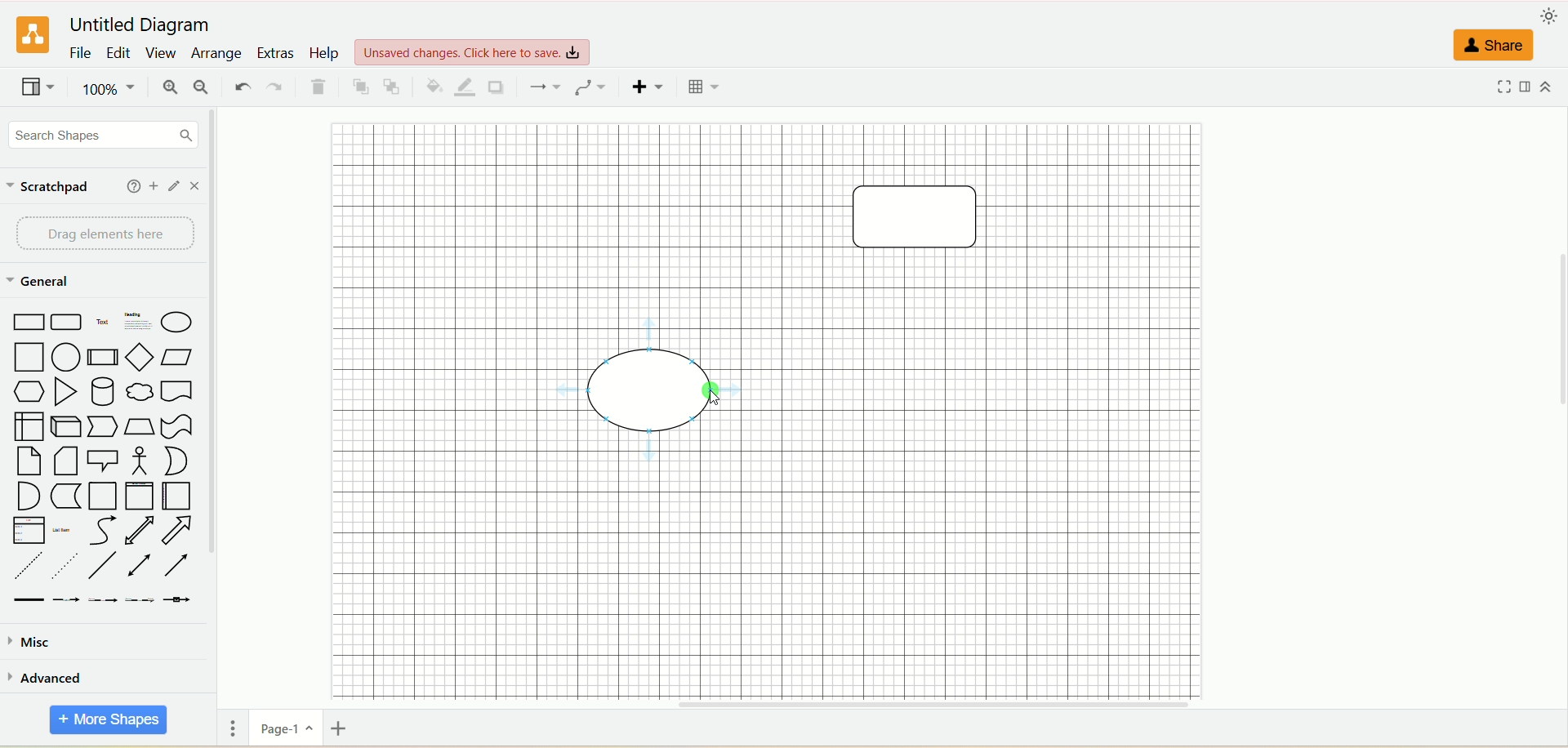 This screenshot has width=1568, height=748. Describe the element at coordinates (52, 188) in the screenshot. I see `scratchpad` at that location.